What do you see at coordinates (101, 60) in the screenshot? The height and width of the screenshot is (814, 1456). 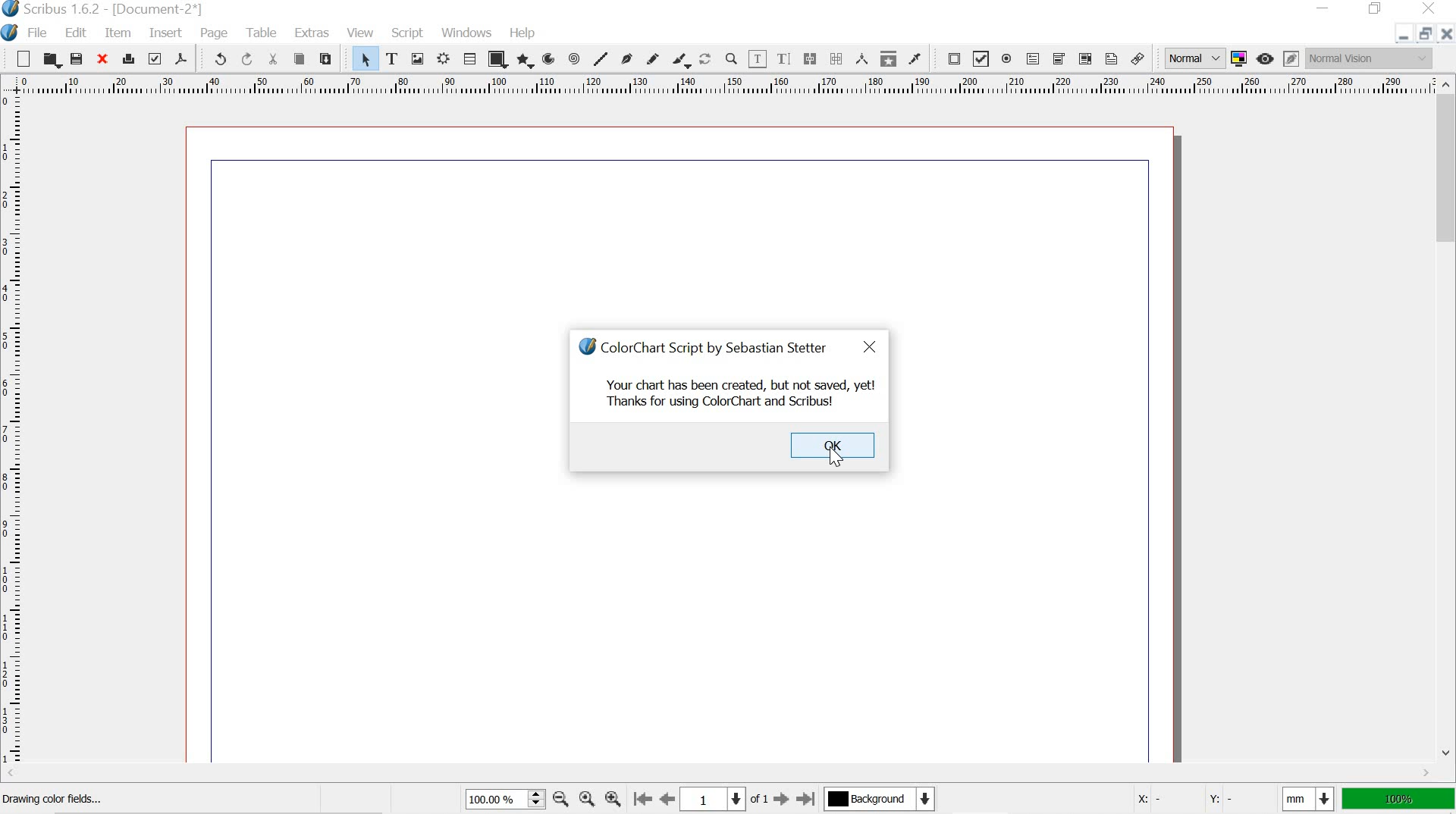 I see `close` at bounding box center [101, 60].